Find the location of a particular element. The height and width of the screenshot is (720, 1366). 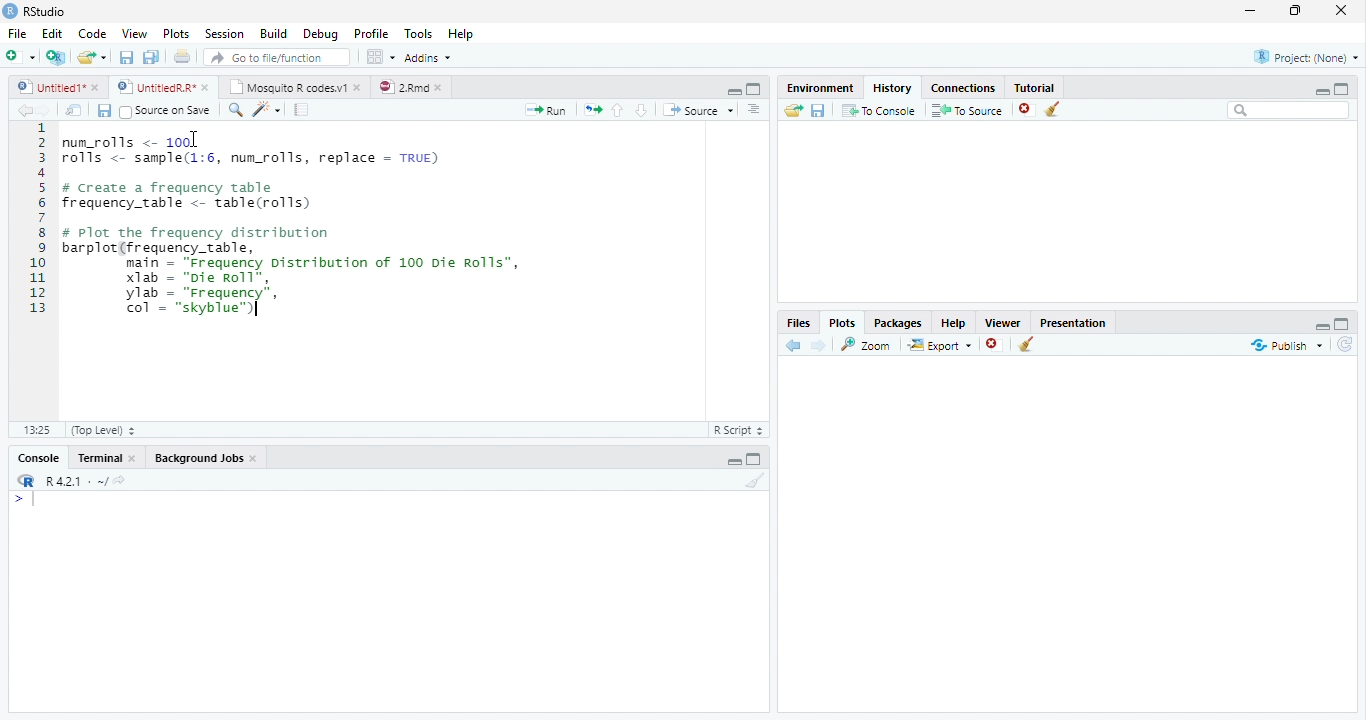

Save all open files is located at coordinates (151, 57).